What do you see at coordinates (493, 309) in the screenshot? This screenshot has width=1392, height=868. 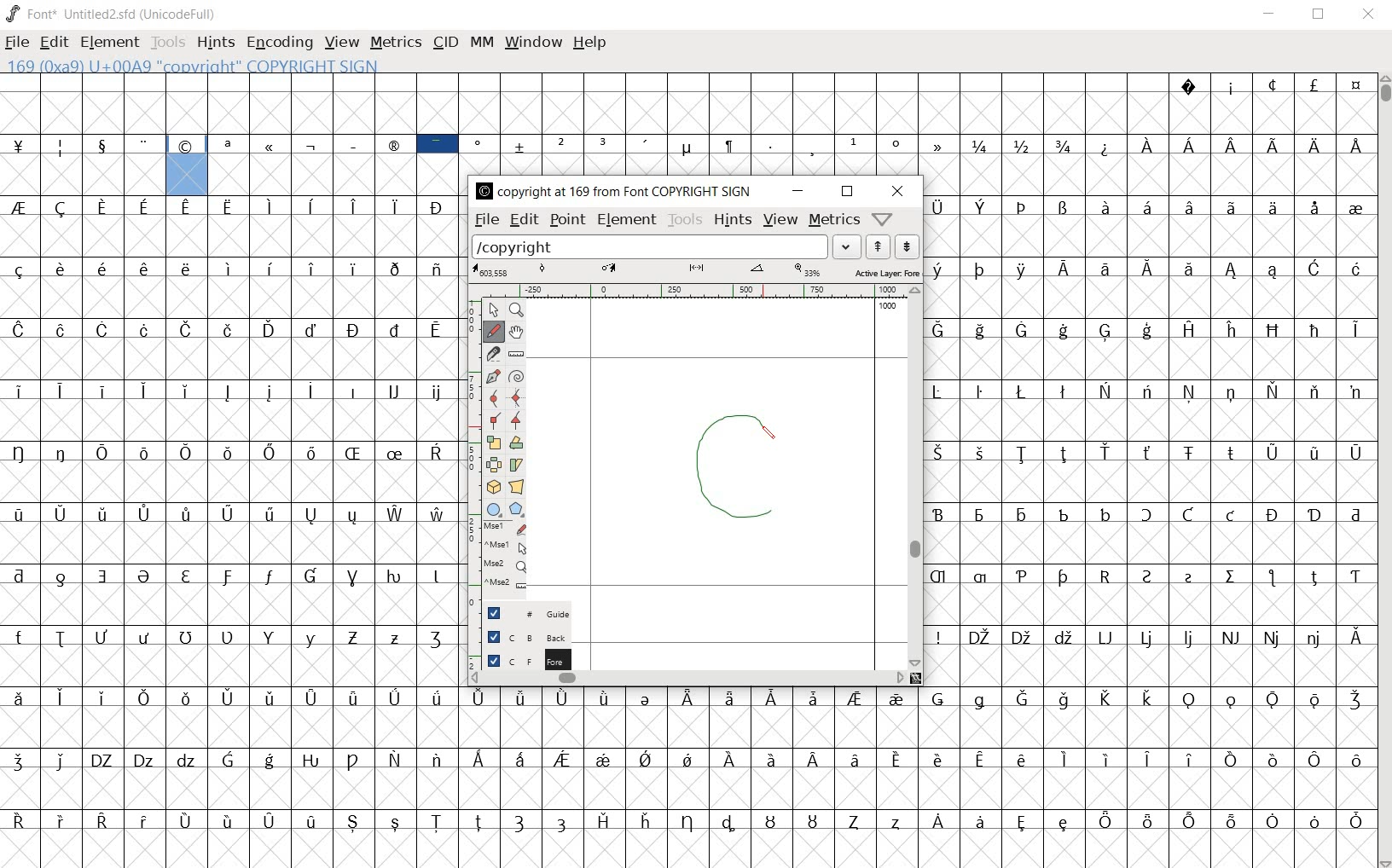 I see `POINTER` at bounding box center [493, 309].